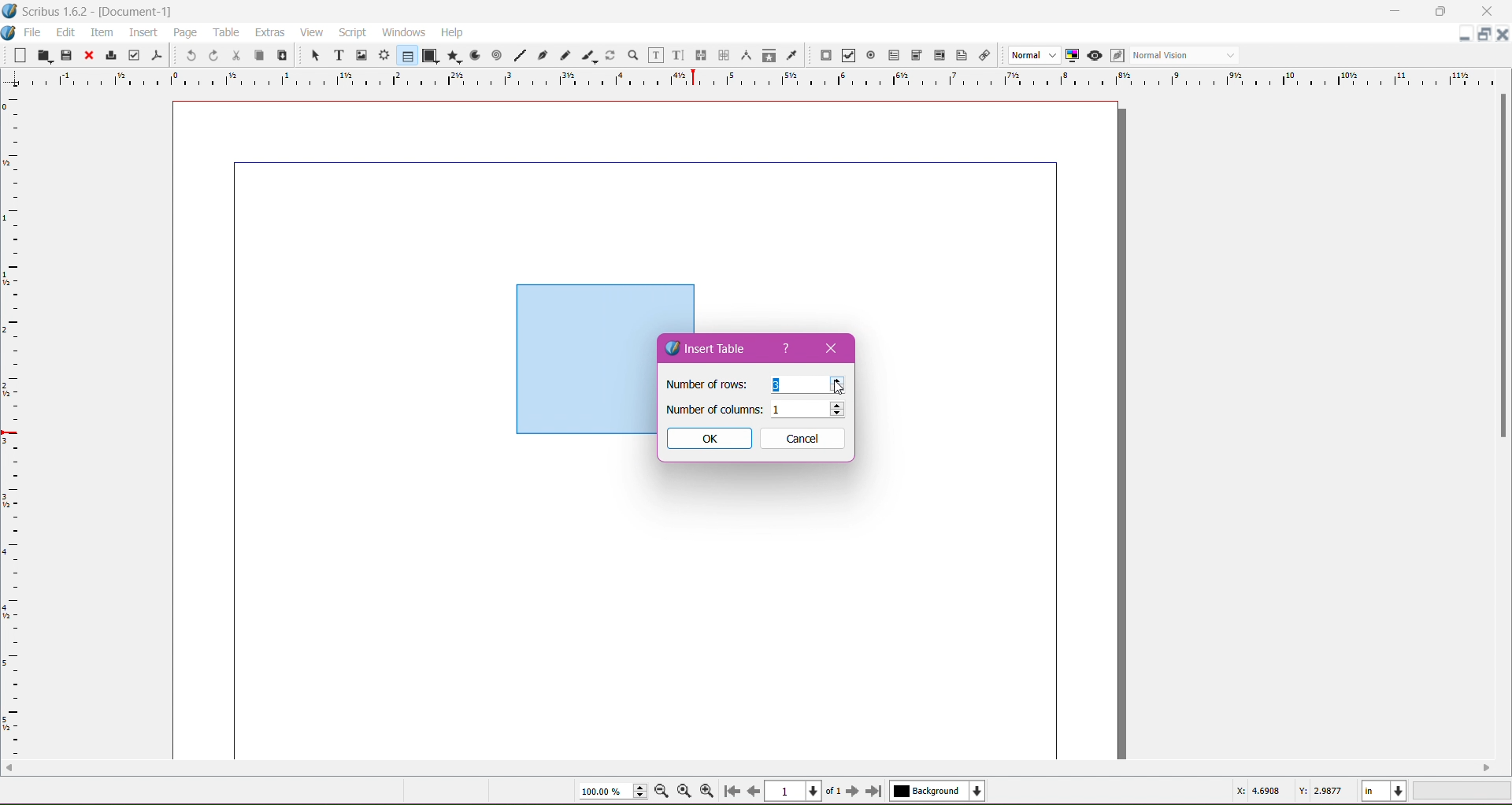 This screenshot has height=805, width=1512. I want to click on Image Frame, so click(359, 54).